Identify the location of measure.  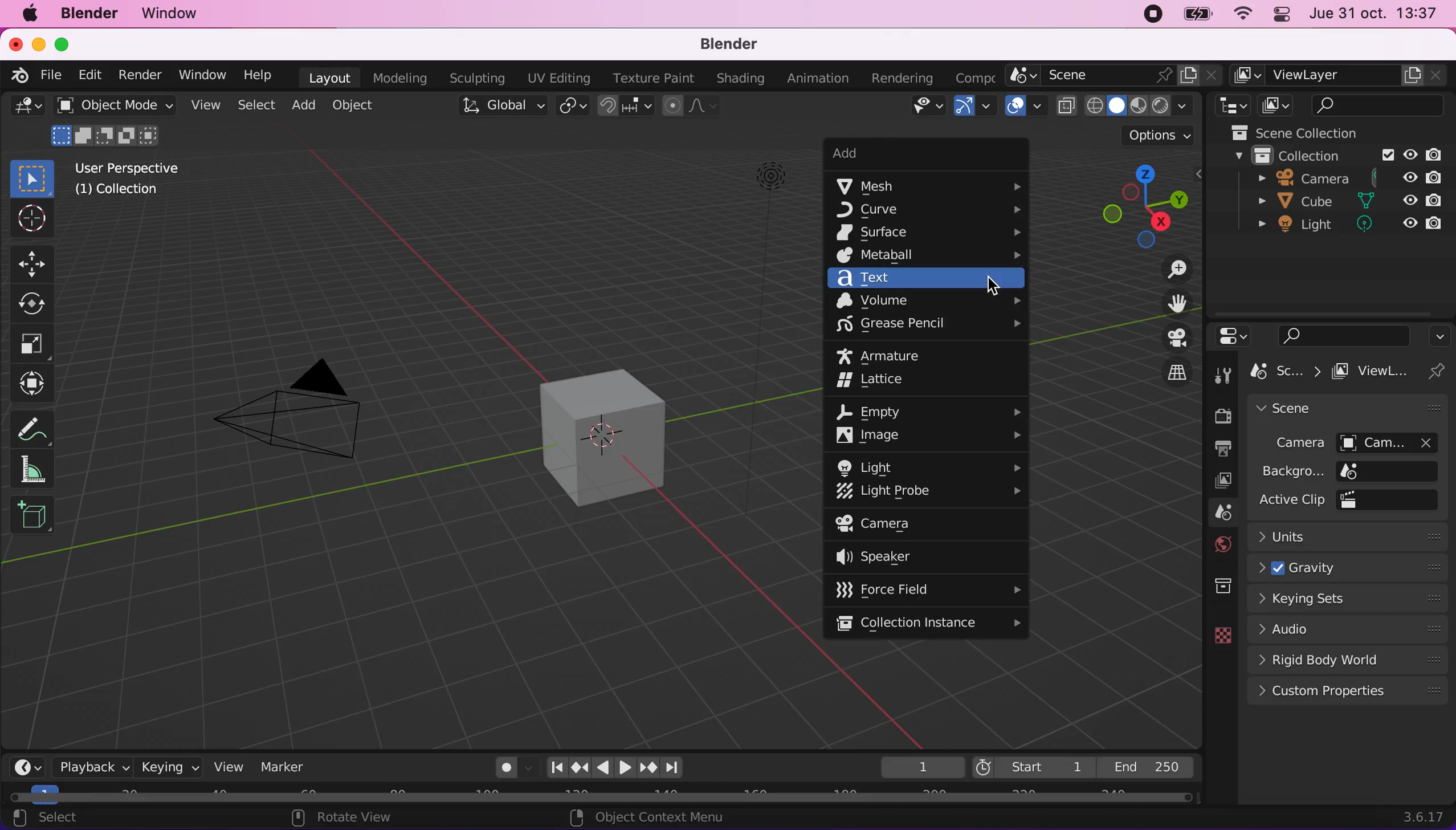
(37, 471).